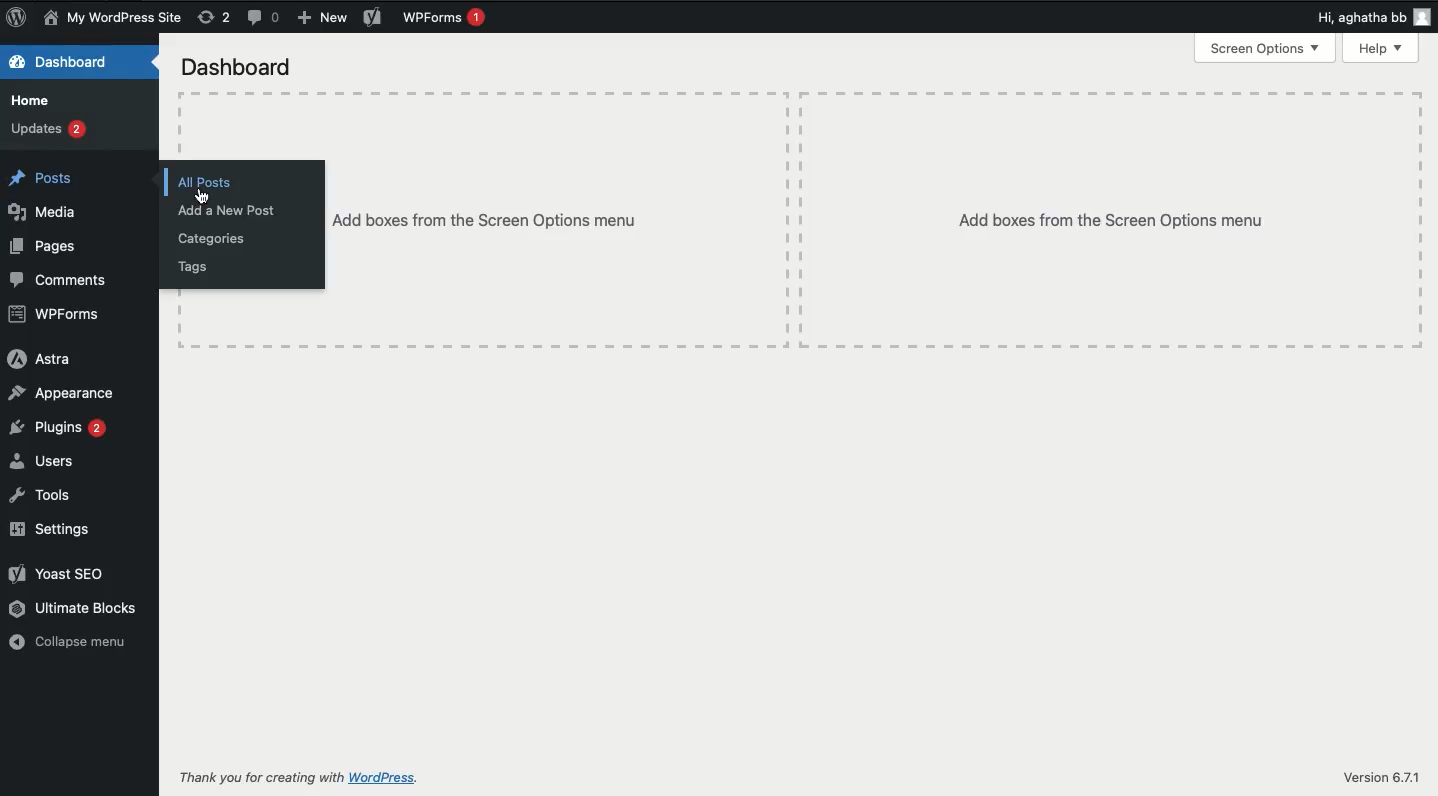 The height and width of the screenshot is (796, 1438). What do you see at coordinates (52, 131) in the screenshot?
I see `Updates` at bounding box center [52, 131].